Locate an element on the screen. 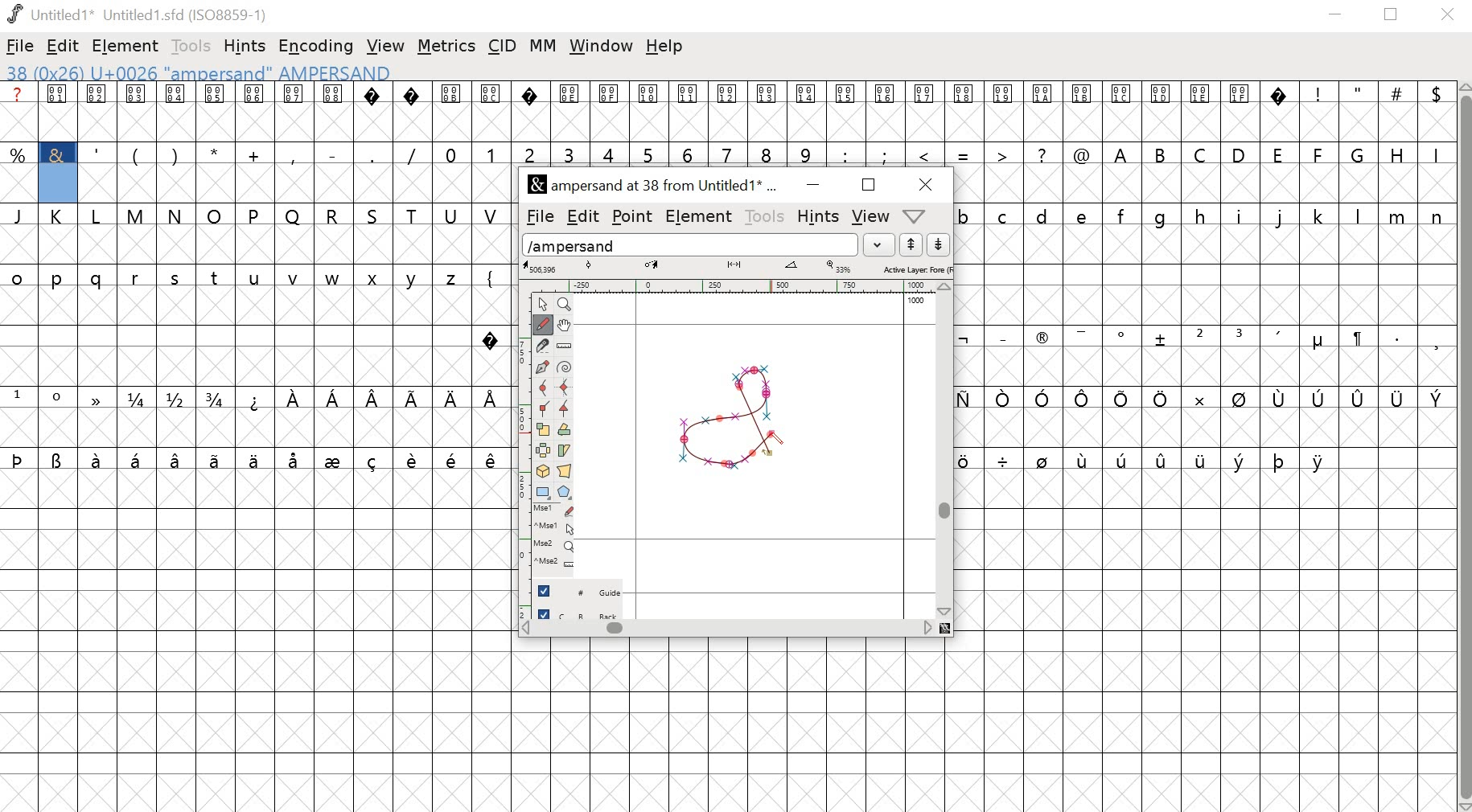 This screenshot has height=812, width=1472. symbol is located at coordinates (253, 459).